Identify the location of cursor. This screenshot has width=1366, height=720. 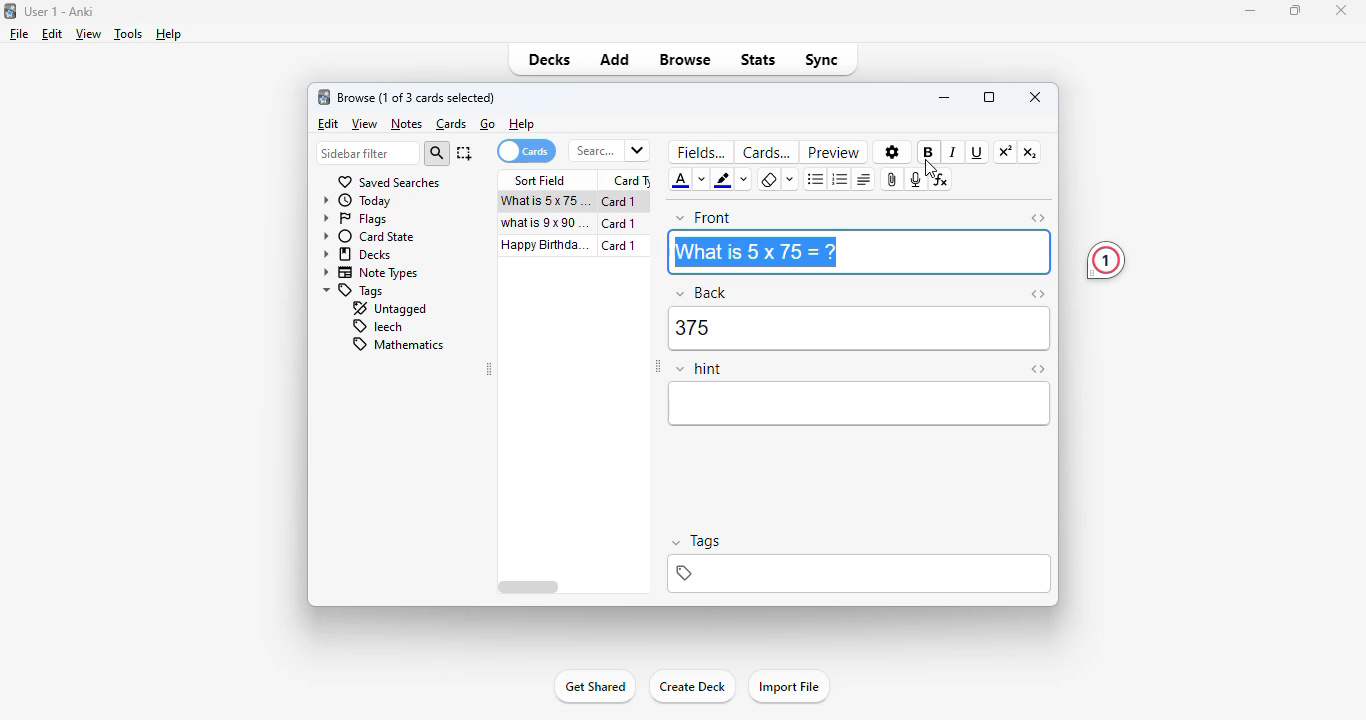
(931, 168).